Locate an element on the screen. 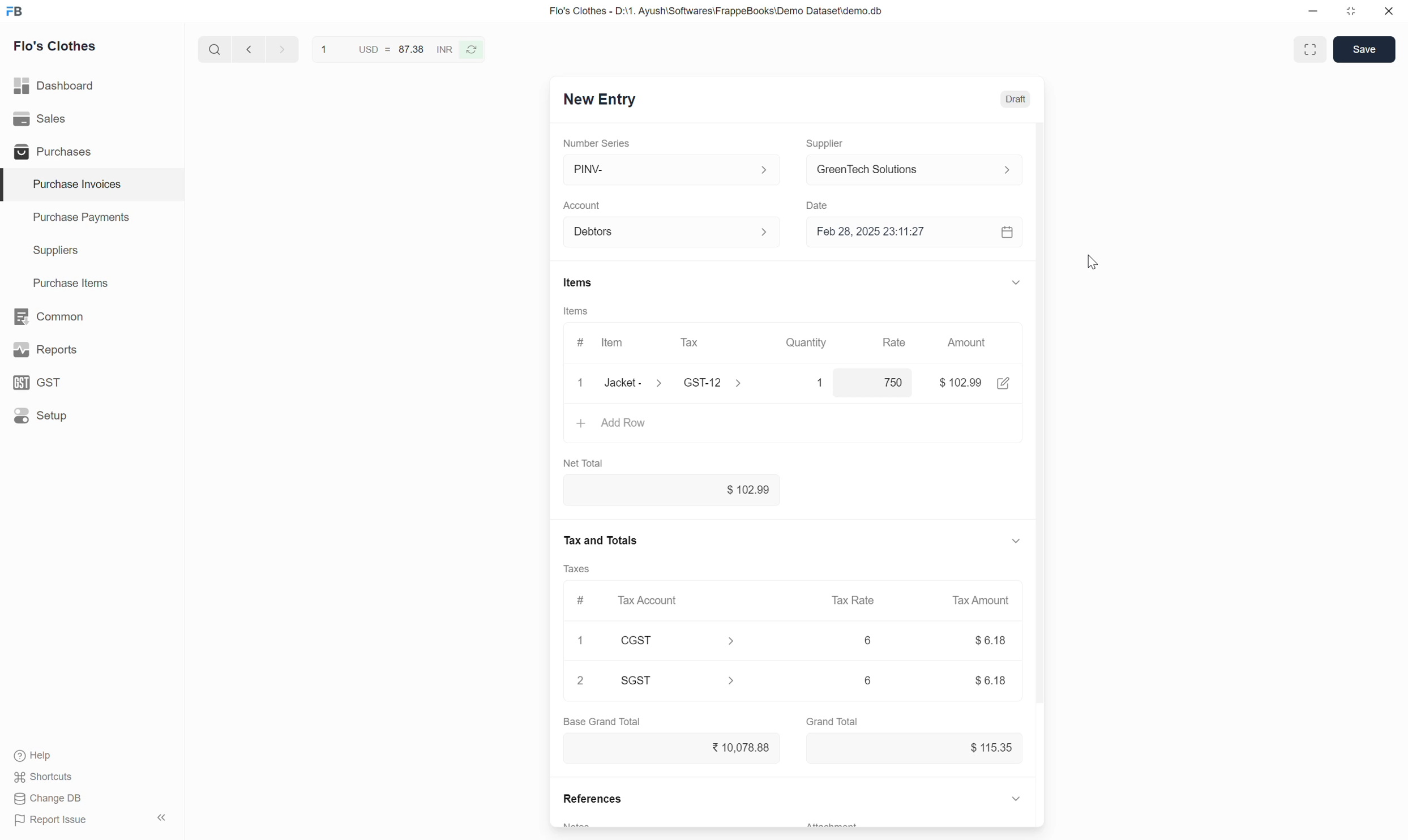  $6.18 is located at coordinates (991, 681).